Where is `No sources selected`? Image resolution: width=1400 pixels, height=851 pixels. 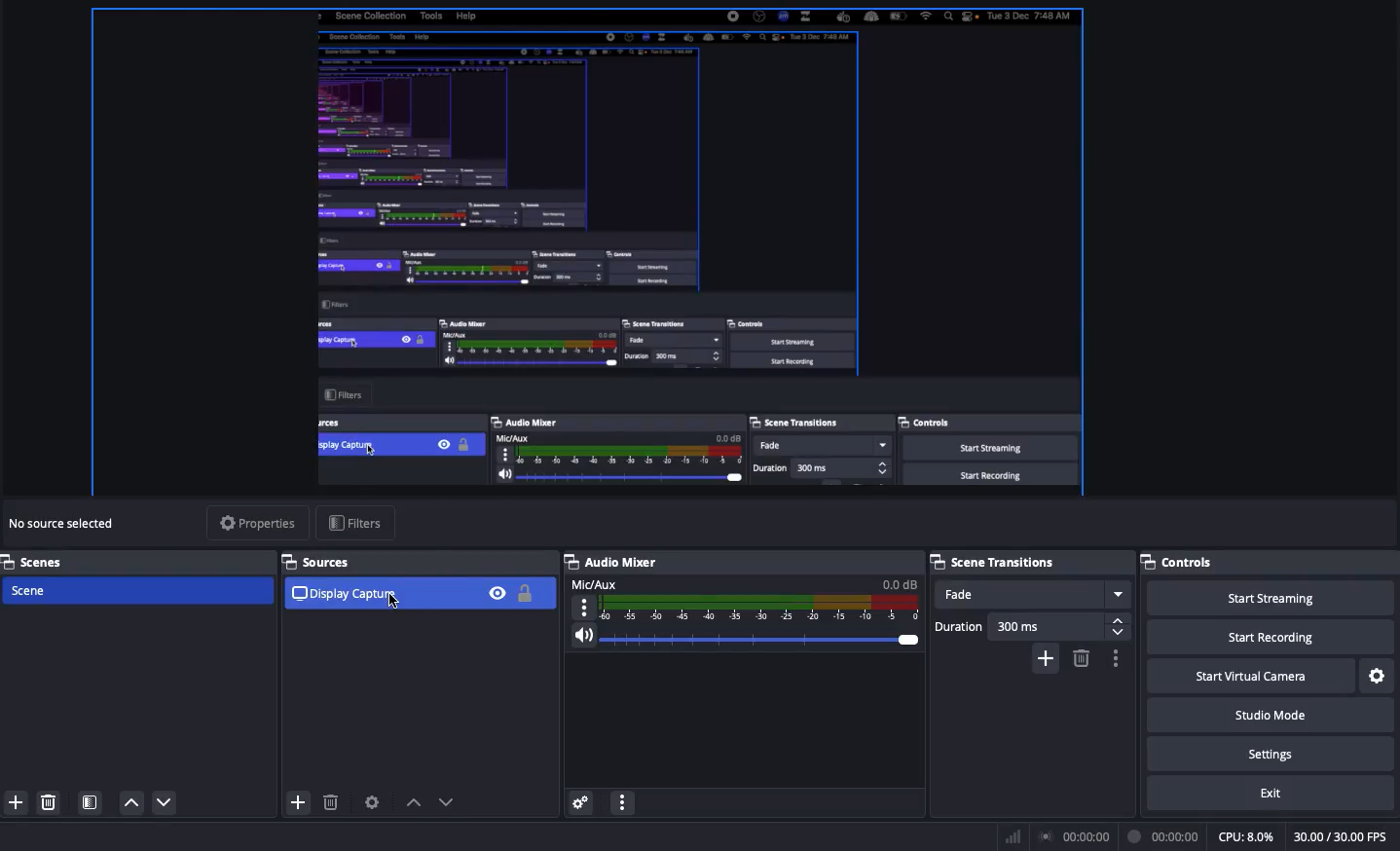 No sources selected is located at coordinates (64, 527).